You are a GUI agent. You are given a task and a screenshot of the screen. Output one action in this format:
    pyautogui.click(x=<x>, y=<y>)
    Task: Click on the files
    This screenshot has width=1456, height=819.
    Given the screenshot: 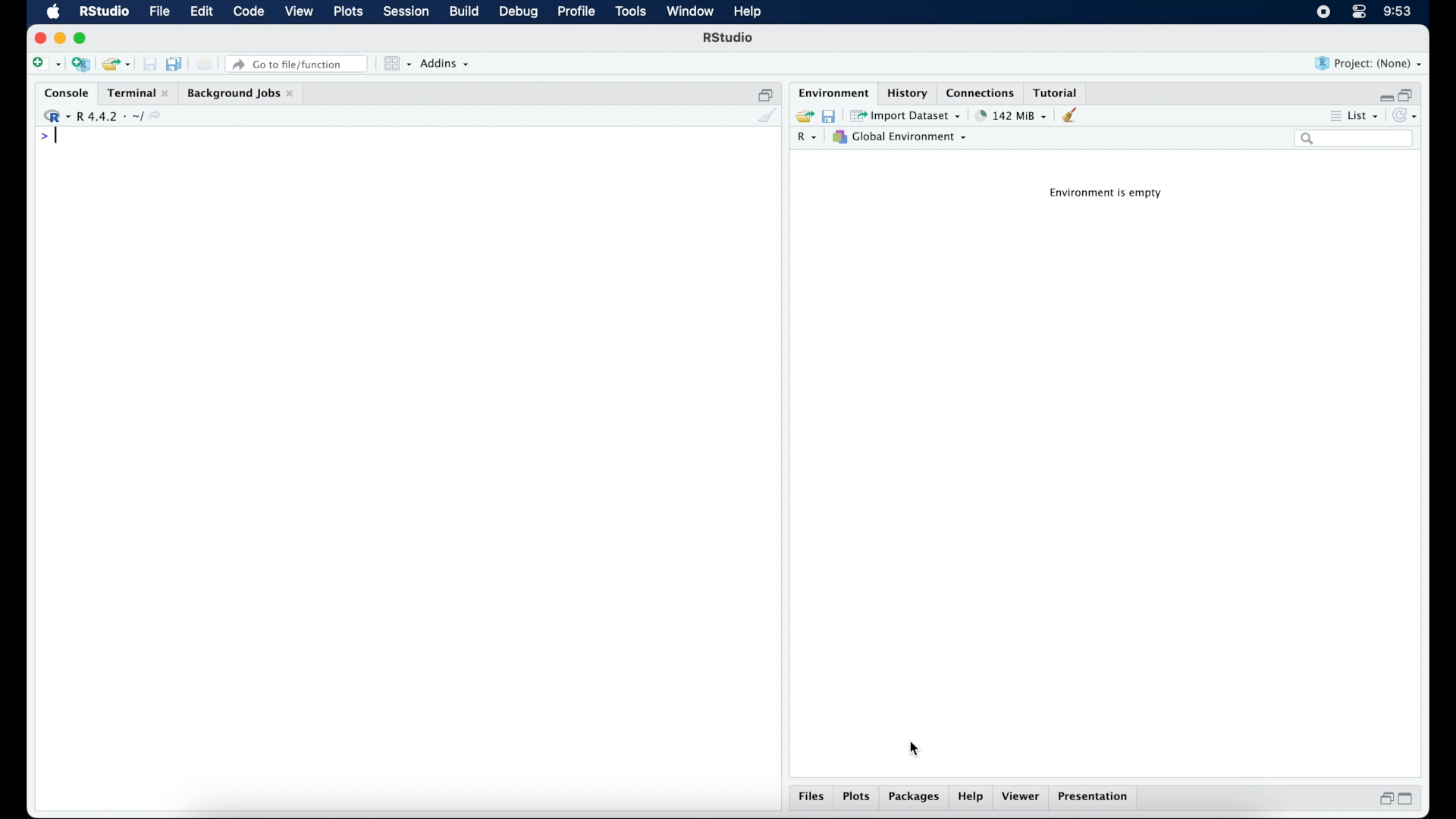 What is the action you would take?
    pyautogui.click(x=810, y=798)
    